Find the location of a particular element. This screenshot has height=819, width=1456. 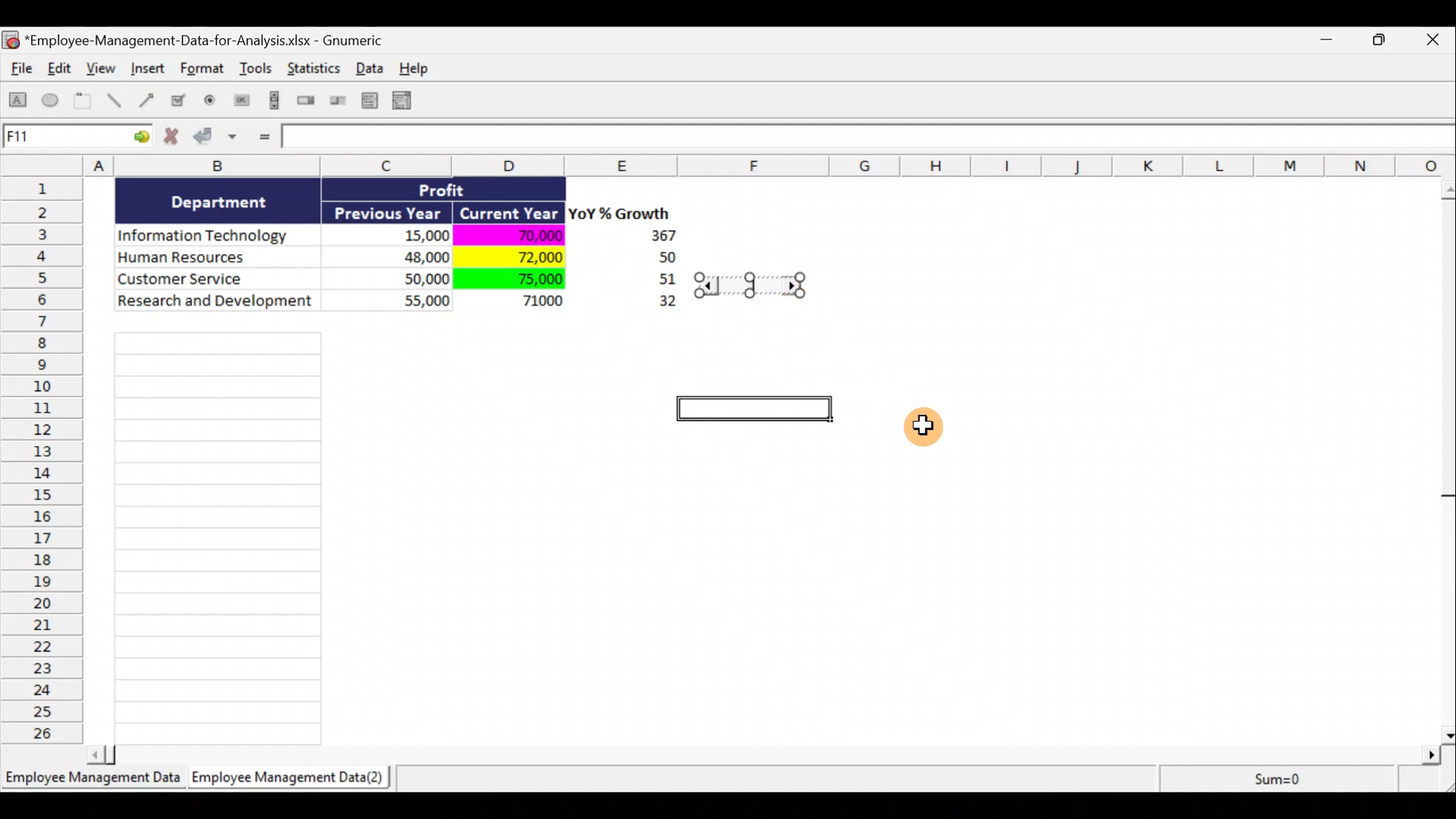

Create an arrow object is located at coordinates (146, 99).